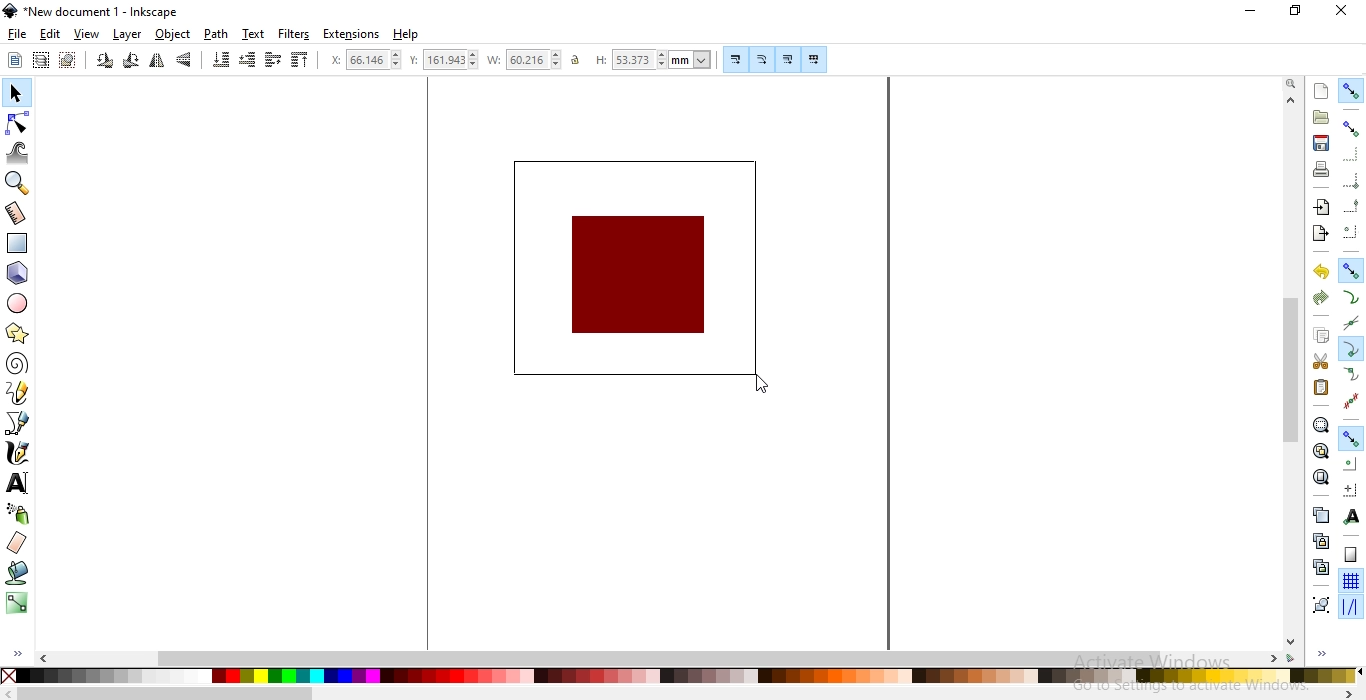  Describe the element at coordinates (129, 35) in the screenshot. I see `layer` at that location.